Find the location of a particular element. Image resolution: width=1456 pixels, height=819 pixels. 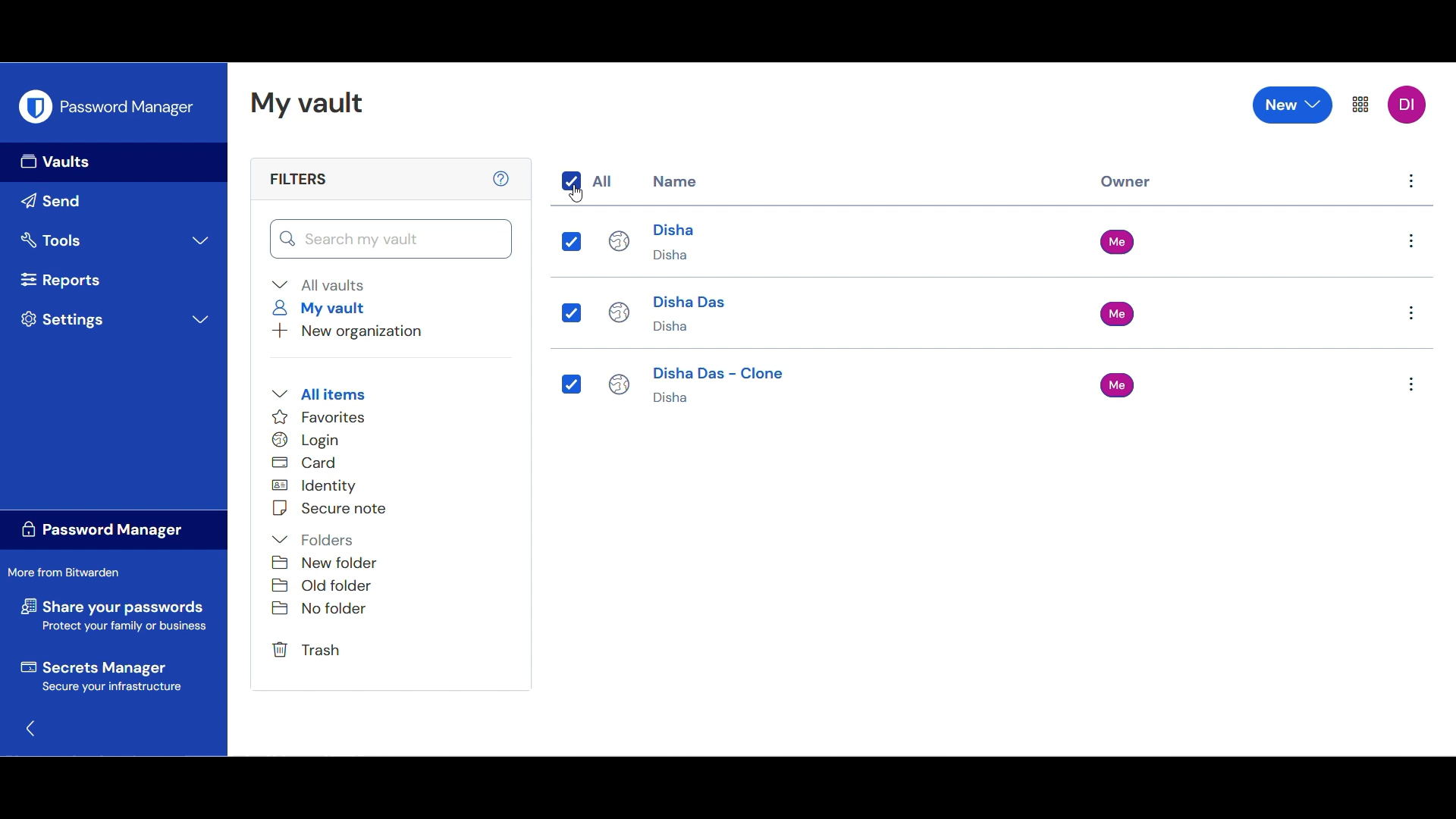

Owner column is located at coordinates (1126, 183).